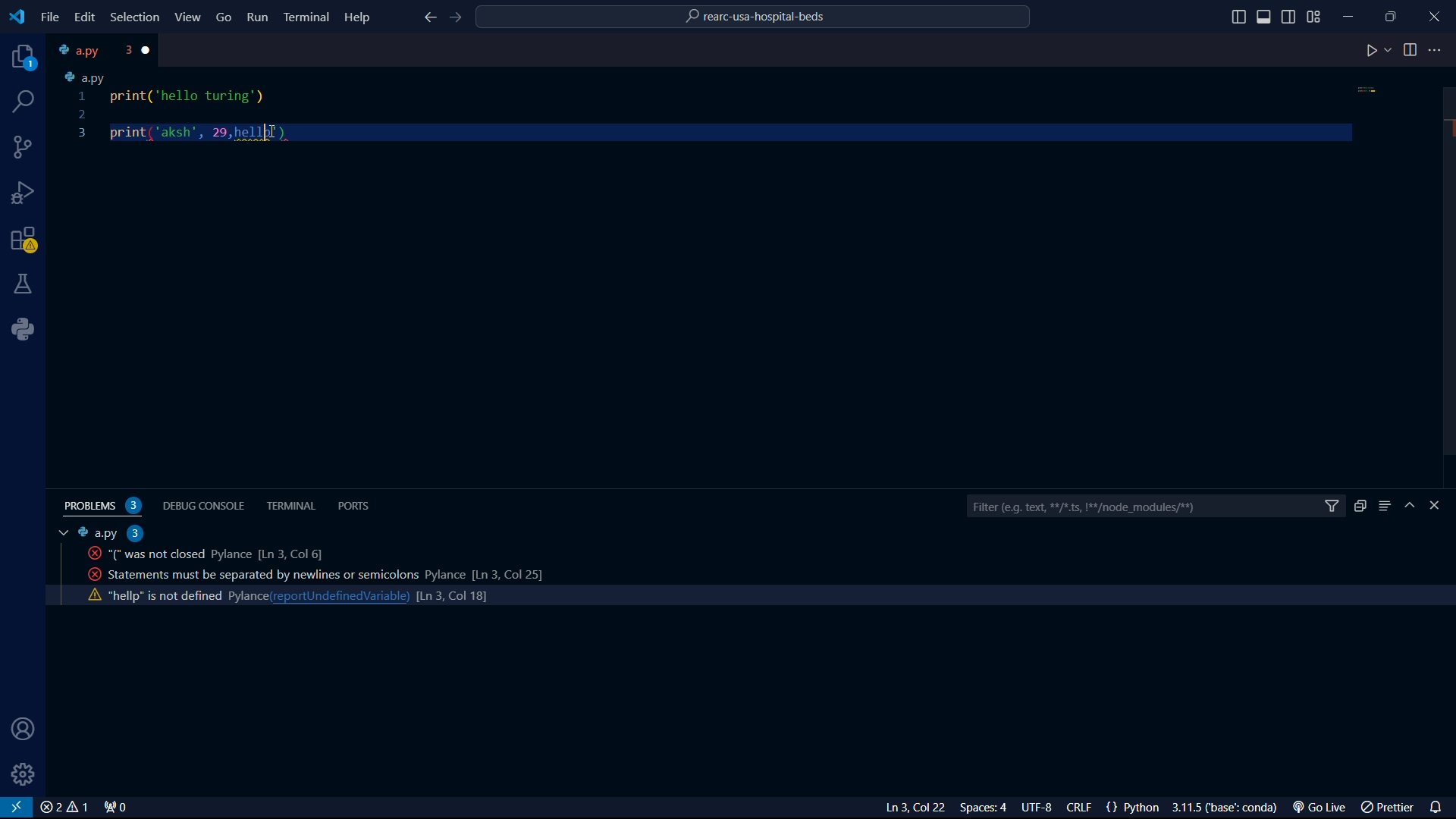 The width and height of the screenshot is (1456, 819). I want to click on connect 0, so click(118, 808).